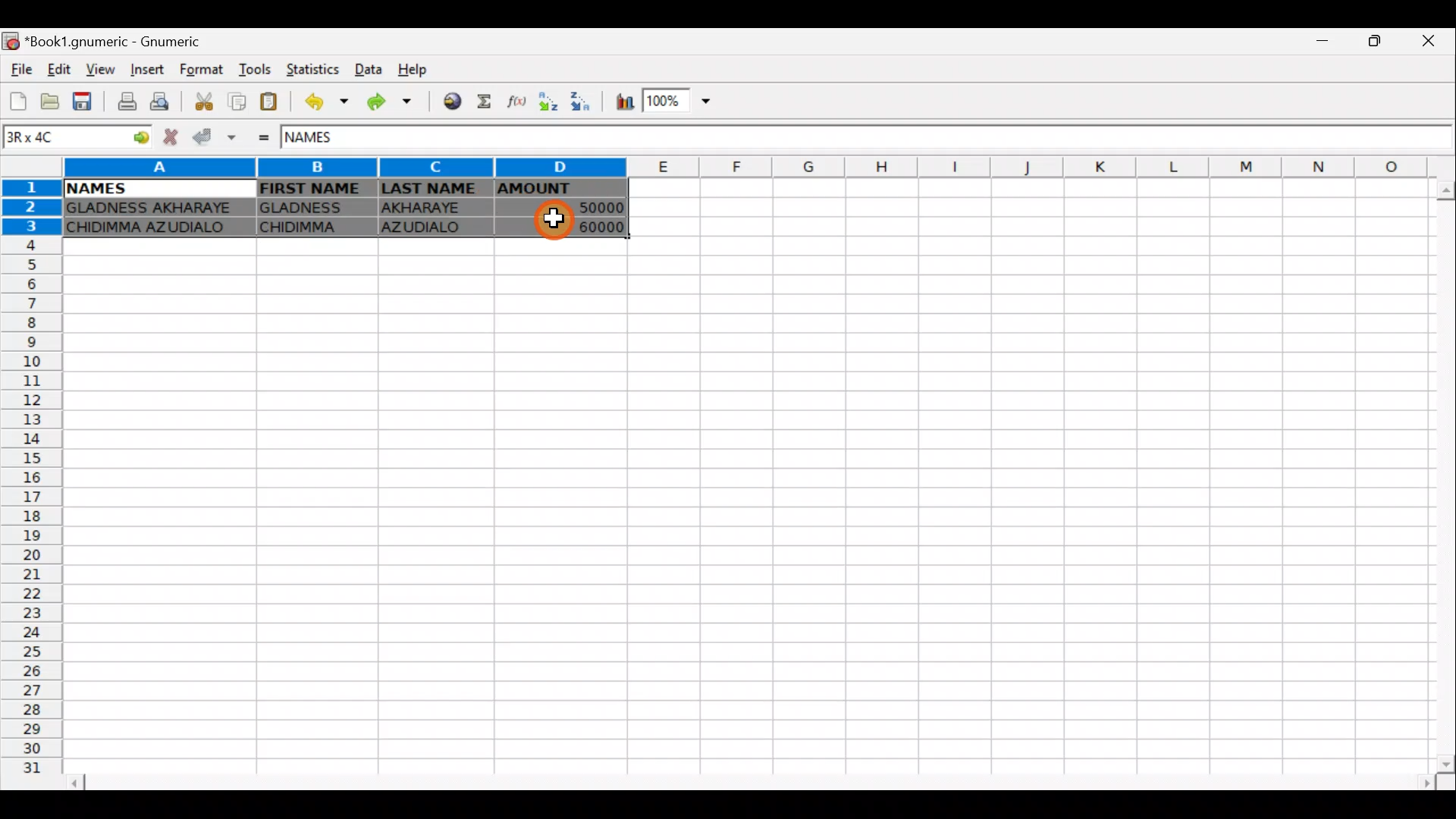 Image resolution: width=1456 pixels, height=819 pixels. I want to click on LAST NAME, so click(433, 190).